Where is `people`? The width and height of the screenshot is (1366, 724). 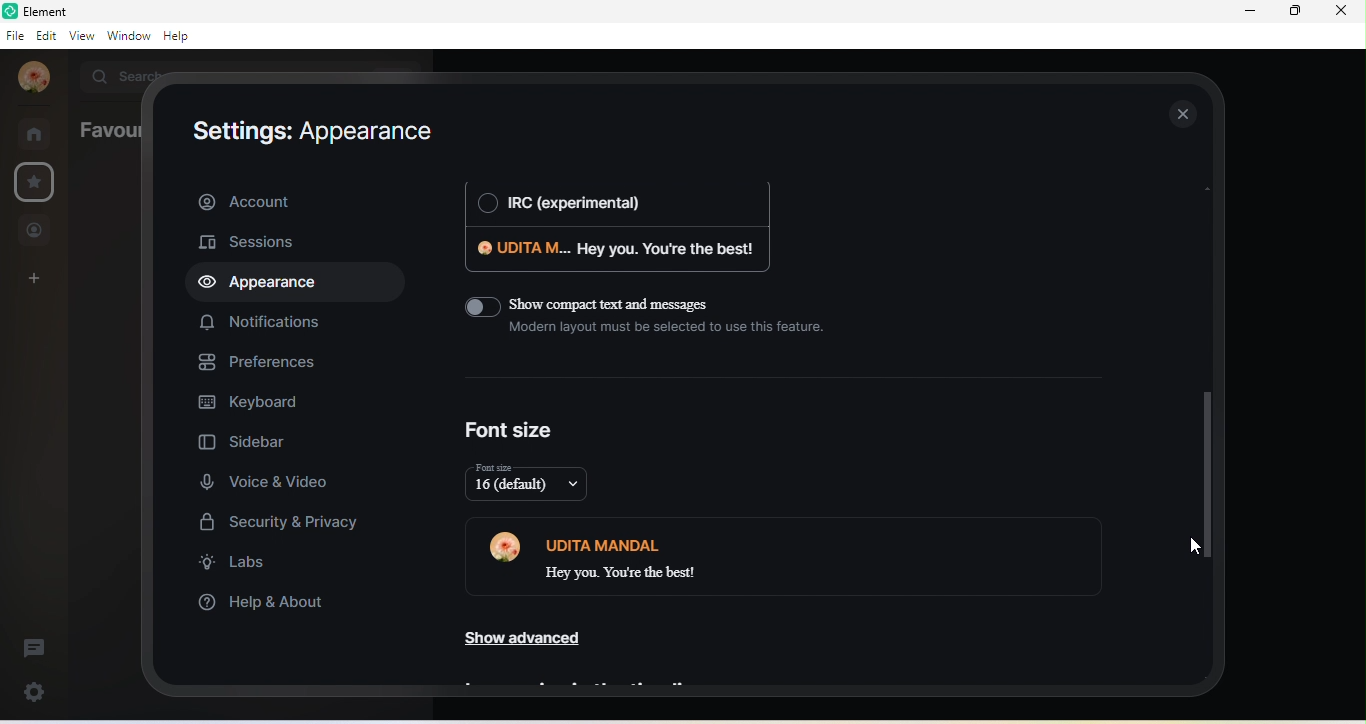
people is located at coordinates (35, 230).